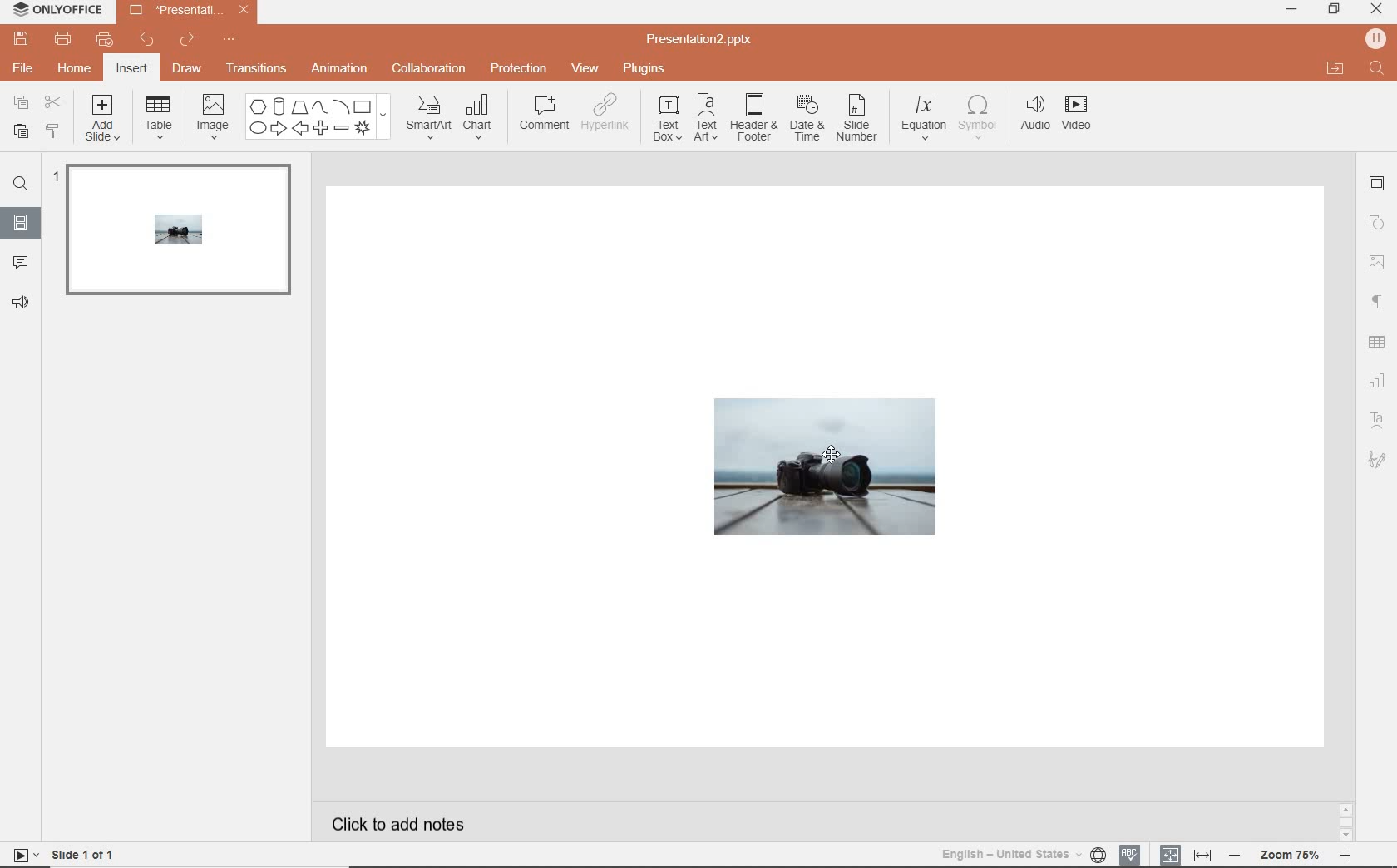 The image size is (1397, 868). Describe the element at coordinates (1377, 460) in the screenshot. I see `signature` at that location.